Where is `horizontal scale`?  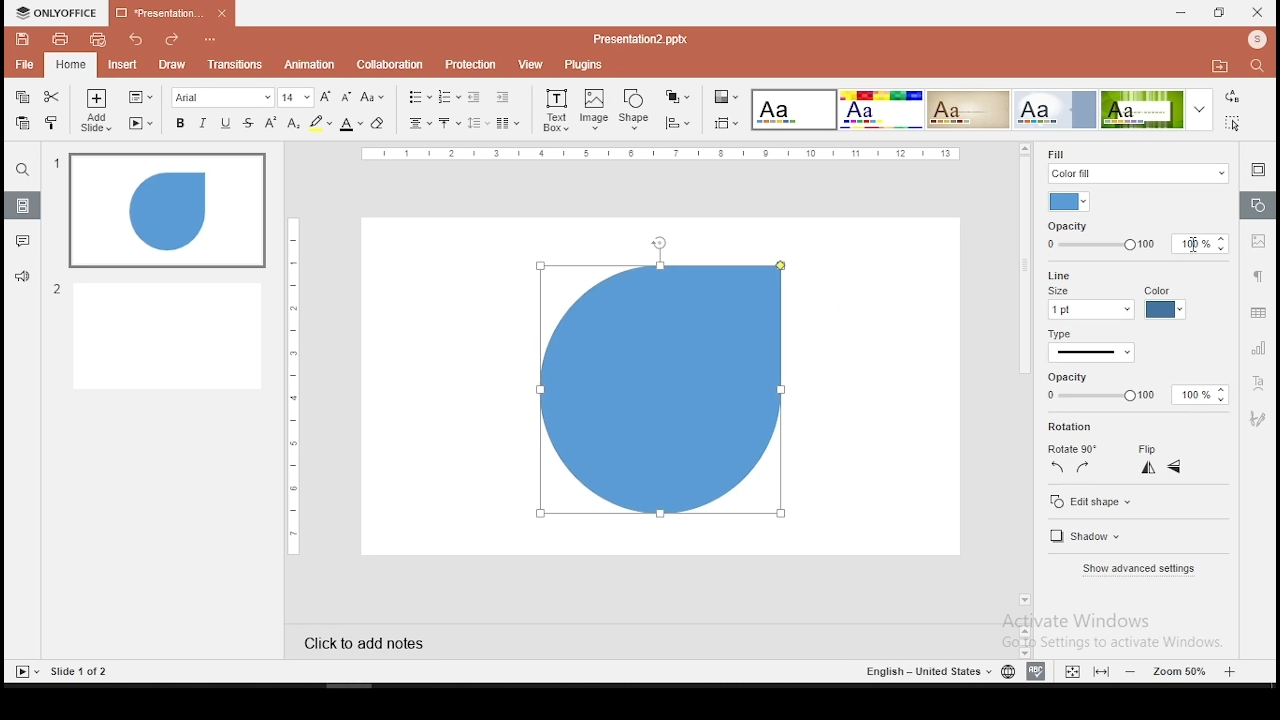 horizontal scale is located at coordinates (290, 385).